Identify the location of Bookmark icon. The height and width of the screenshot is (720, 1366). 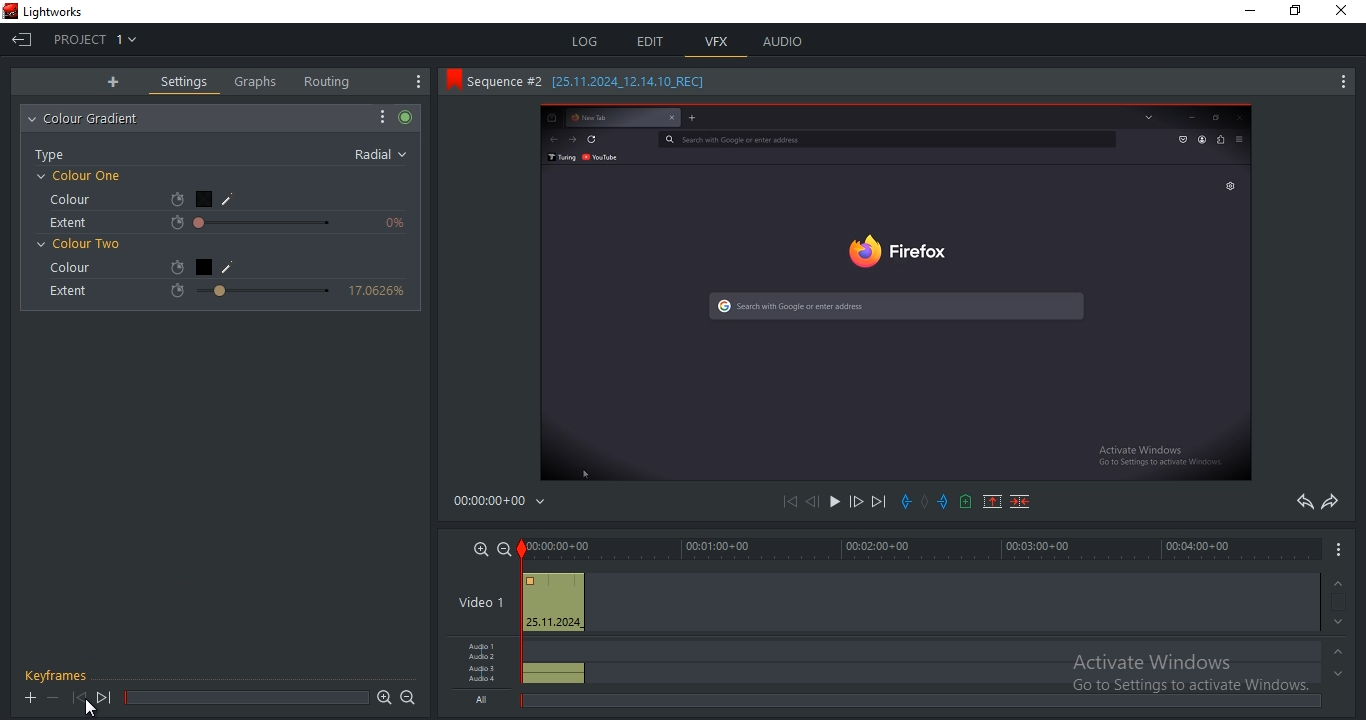
(449, 83).